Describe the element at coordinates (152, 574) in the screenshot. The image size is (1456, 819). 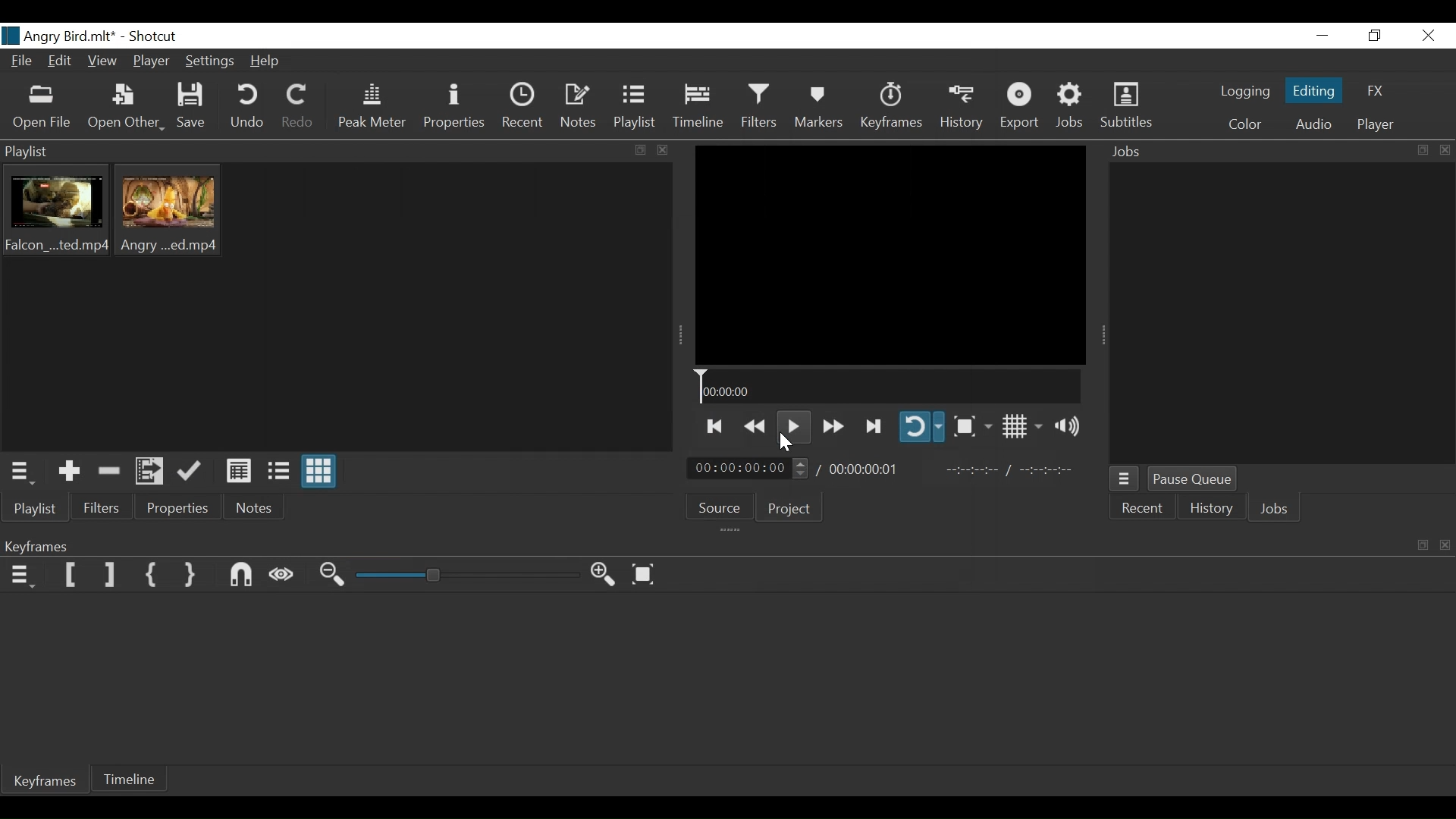
I see `Set First Simple keyframe` at that location.